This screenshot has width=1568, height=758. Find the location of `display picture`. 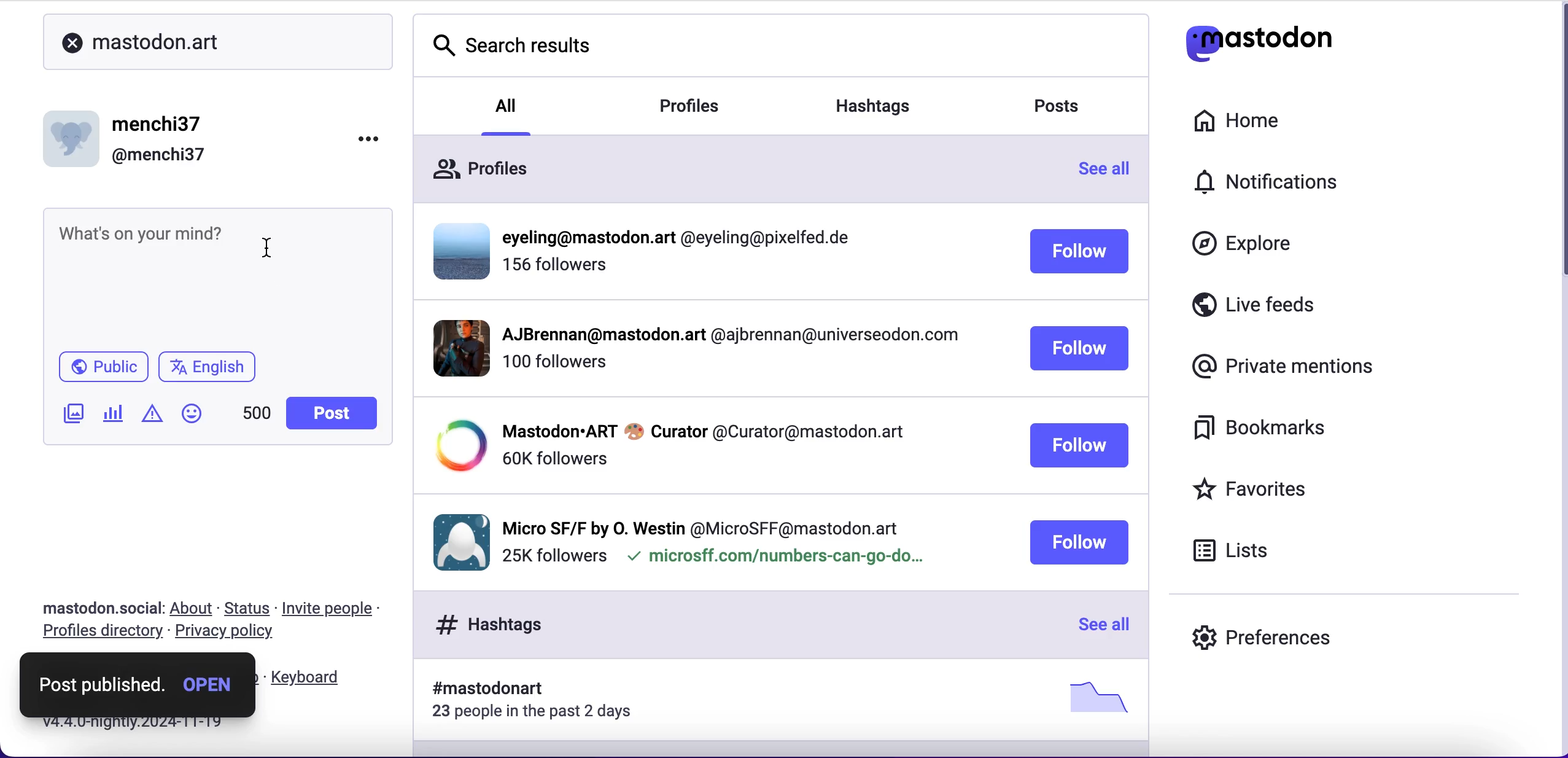

display picture is located at coordinates (457, 249).